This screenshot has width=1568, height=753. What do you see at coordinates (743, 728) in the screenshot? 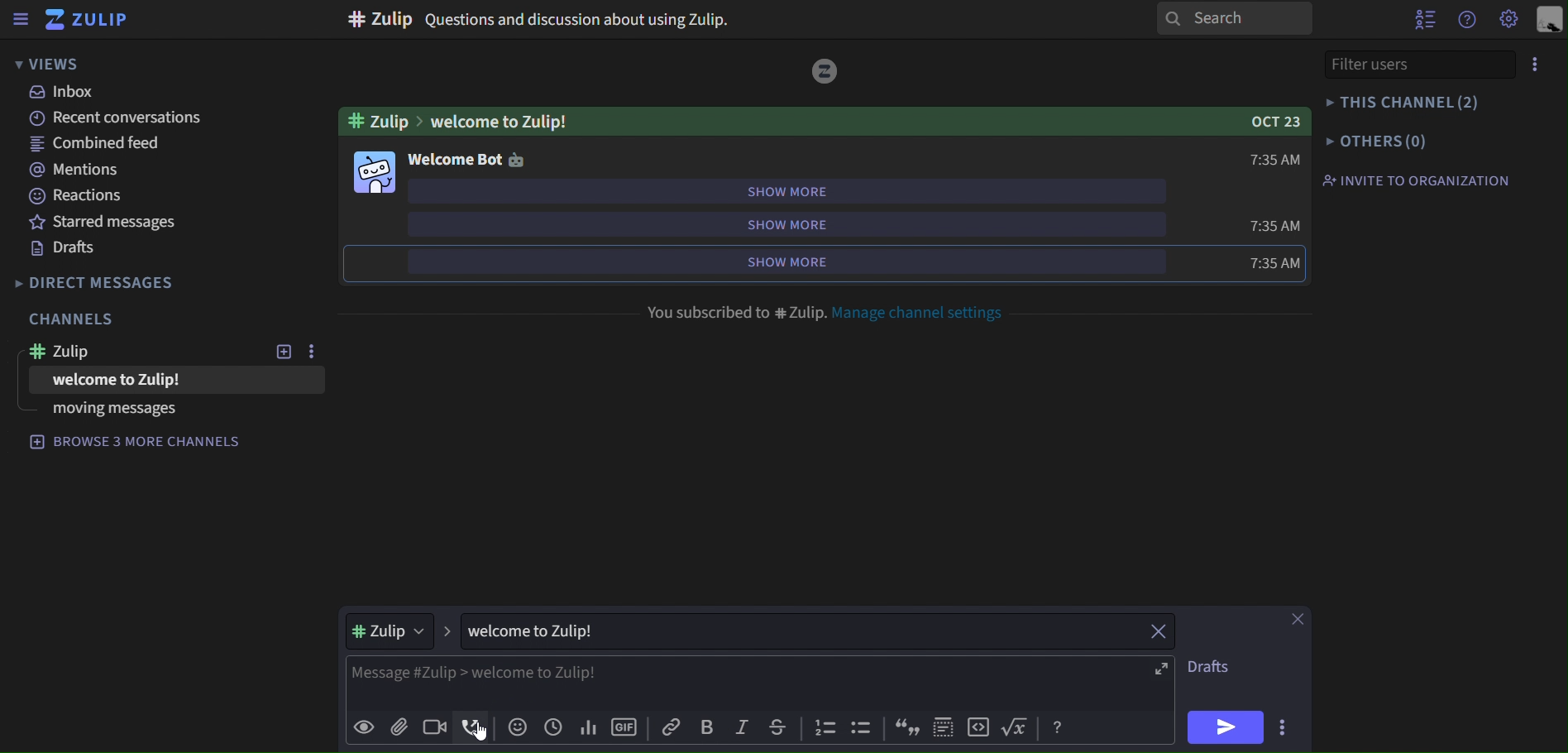
I see `italic` at bounding box center [743, 728].